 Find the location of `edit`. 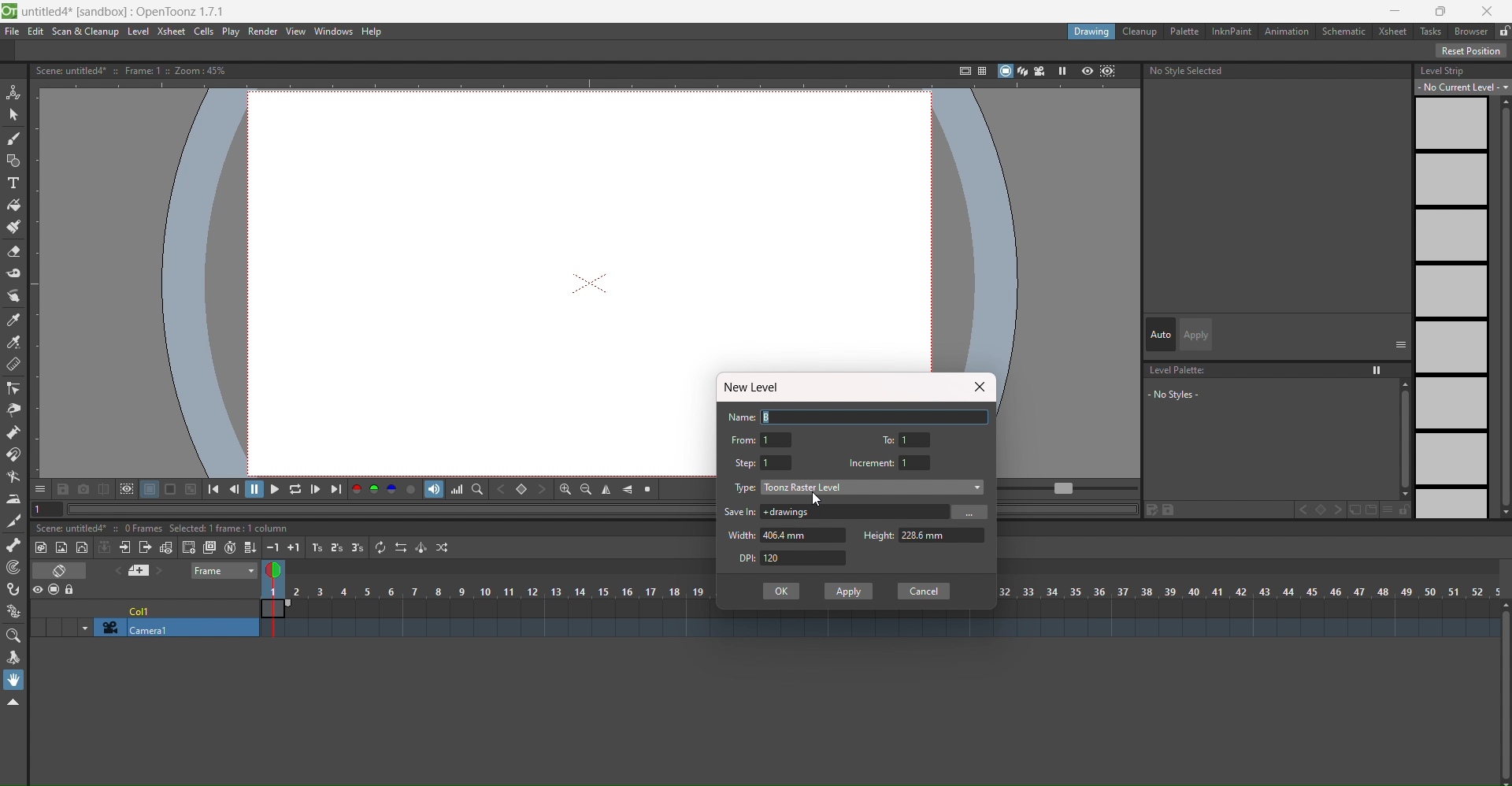

edit is located at coordinates (36, 32).